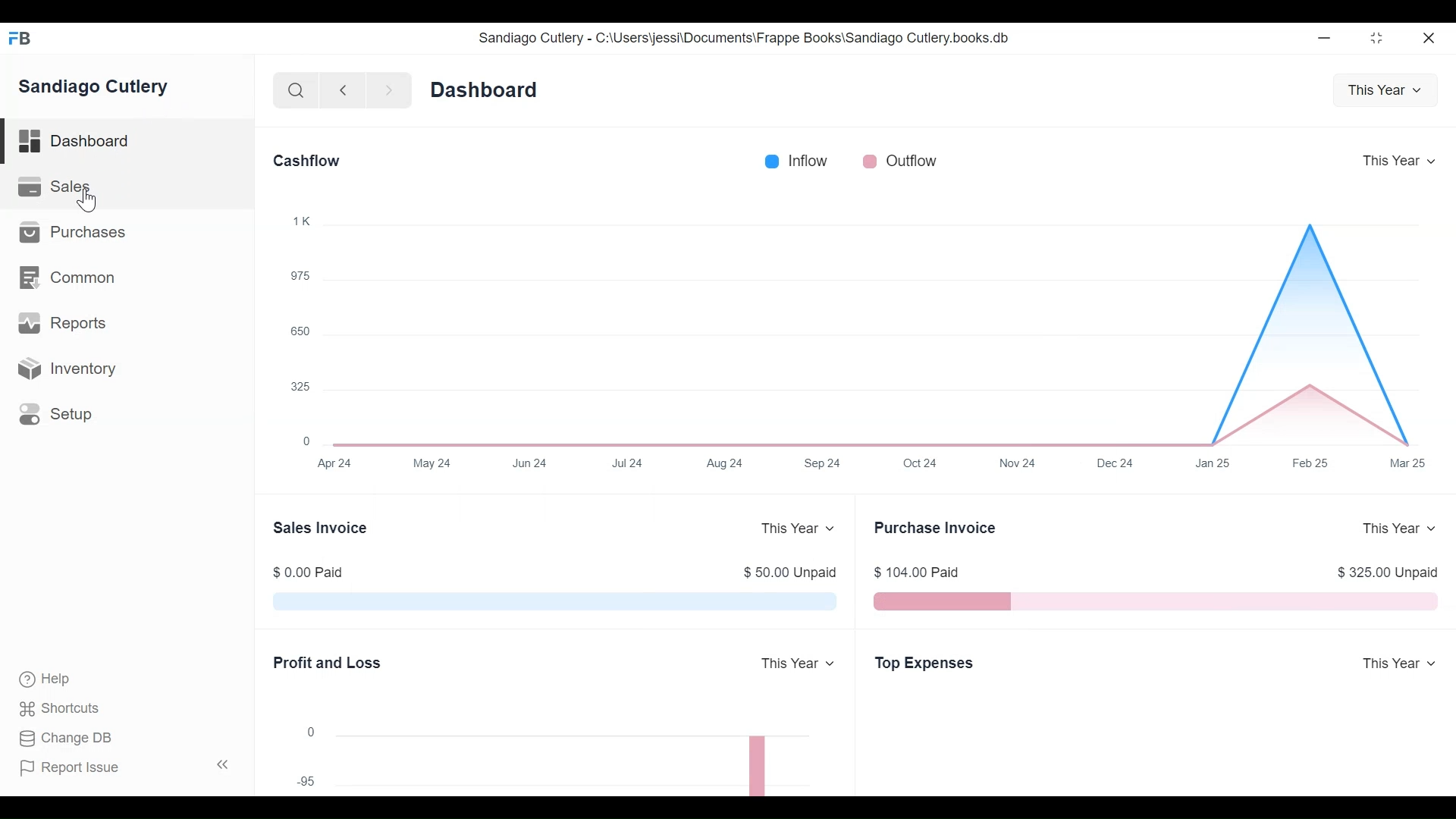 Image resolution: width=1456 pixels, height=819 pixels. What do you see at coordinates (1395, 661) in the screenshot?
I see `This Year` at bounding box center [1395, 661].